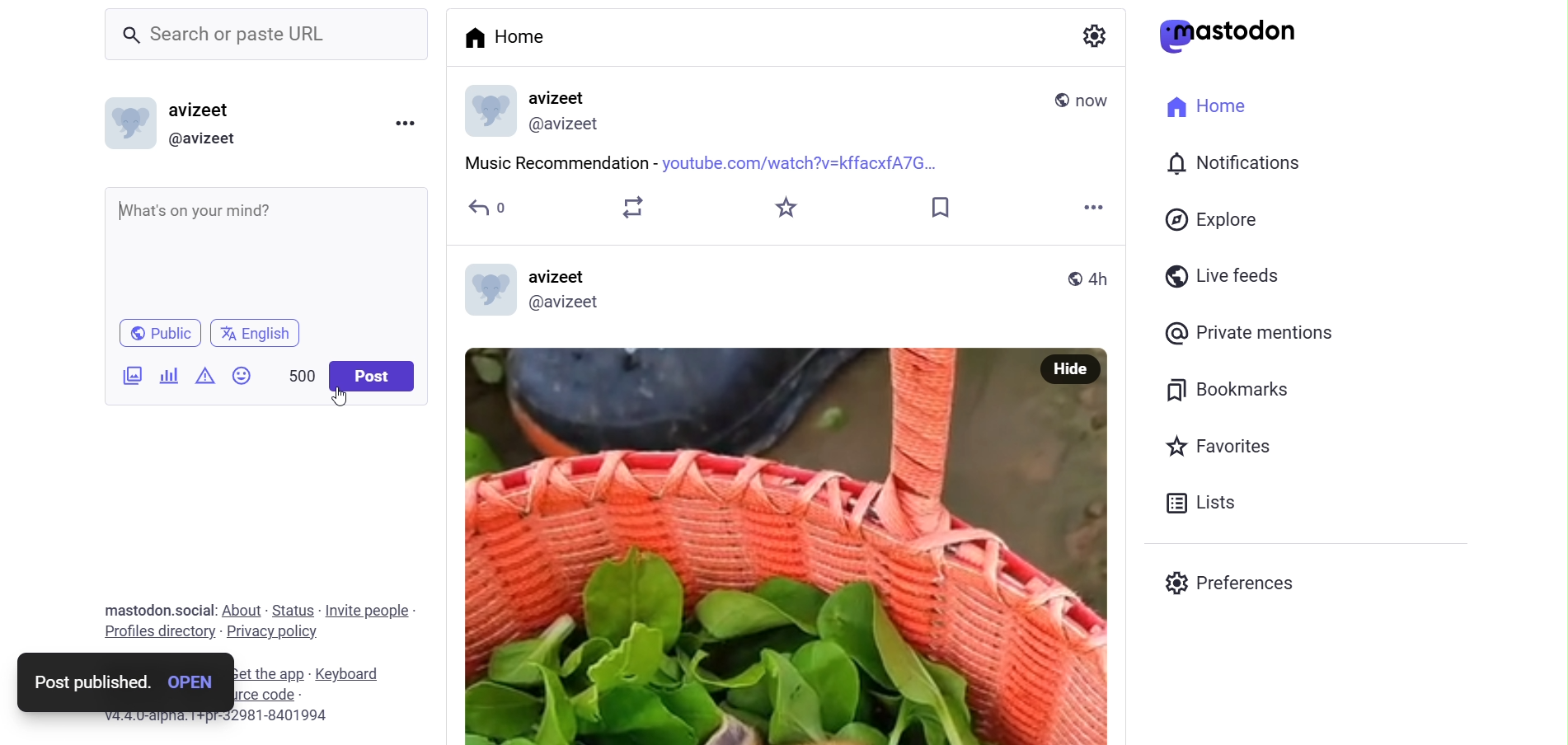  I want to click on avizeet, so click(561, 274).